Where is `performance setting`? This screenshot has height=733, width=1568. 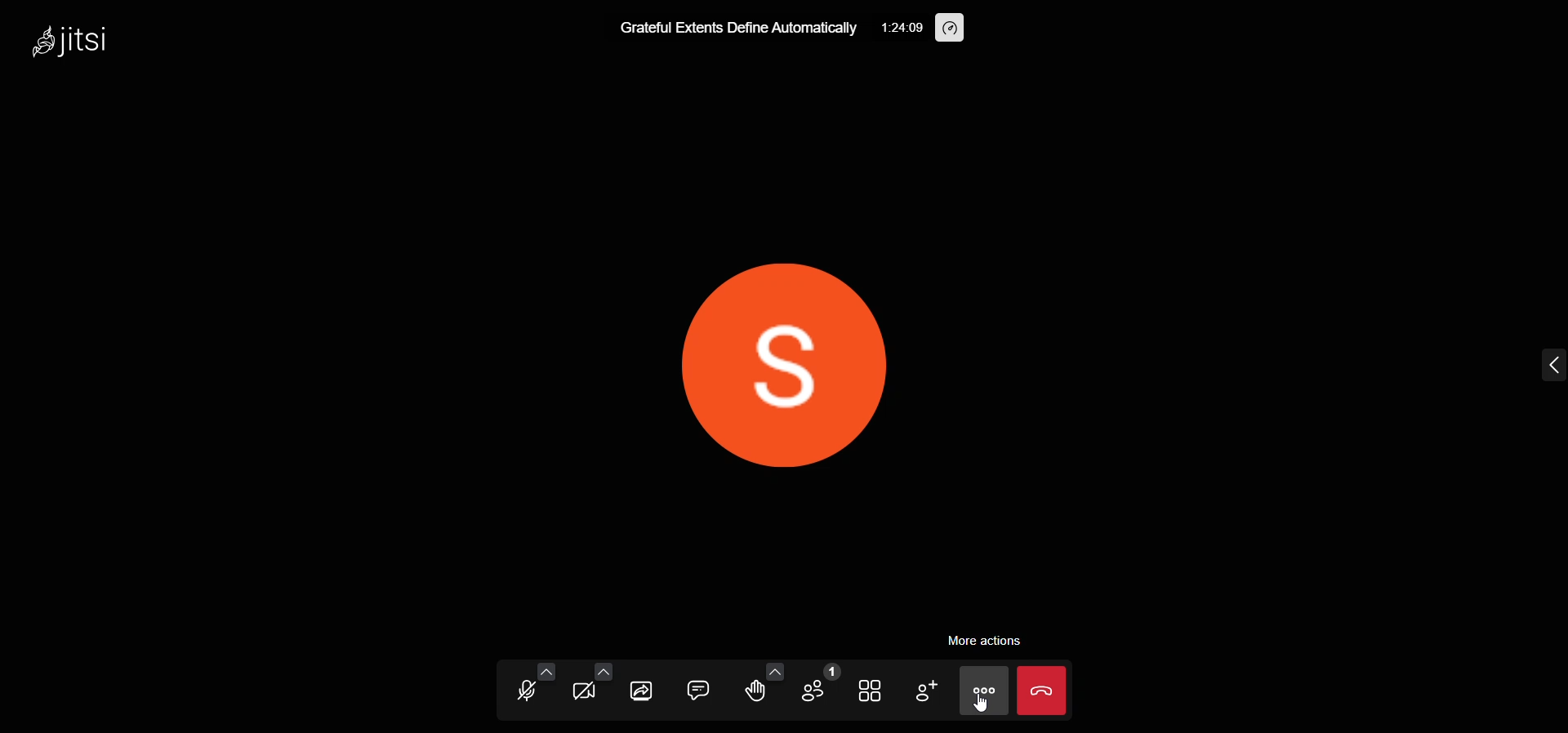
performance setting is located at coordinates (952, 28).